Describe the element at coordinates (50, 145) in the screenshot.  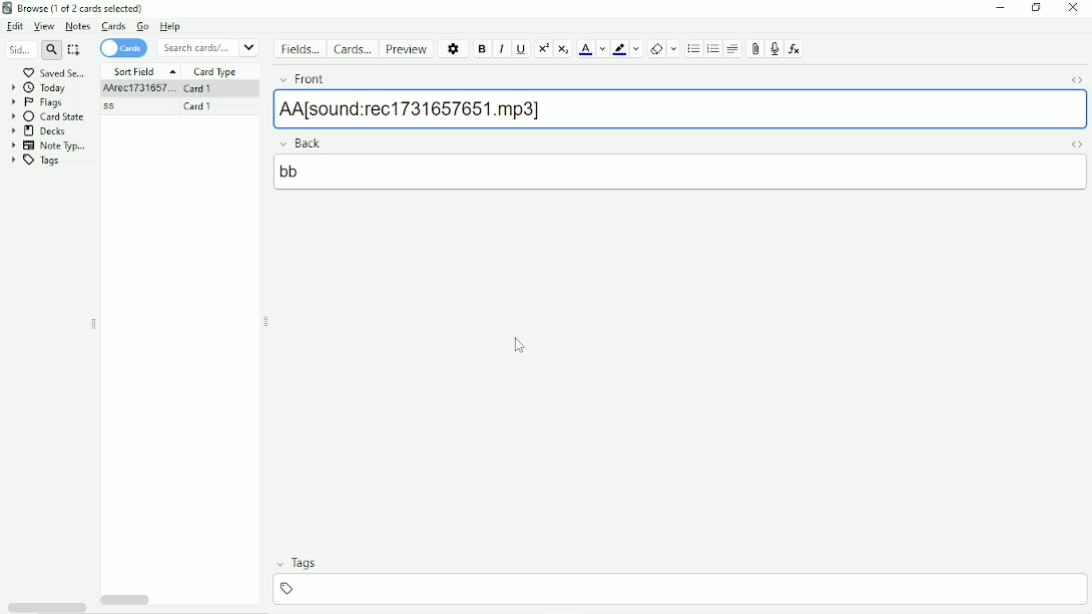
I see `Note Types` at that location.